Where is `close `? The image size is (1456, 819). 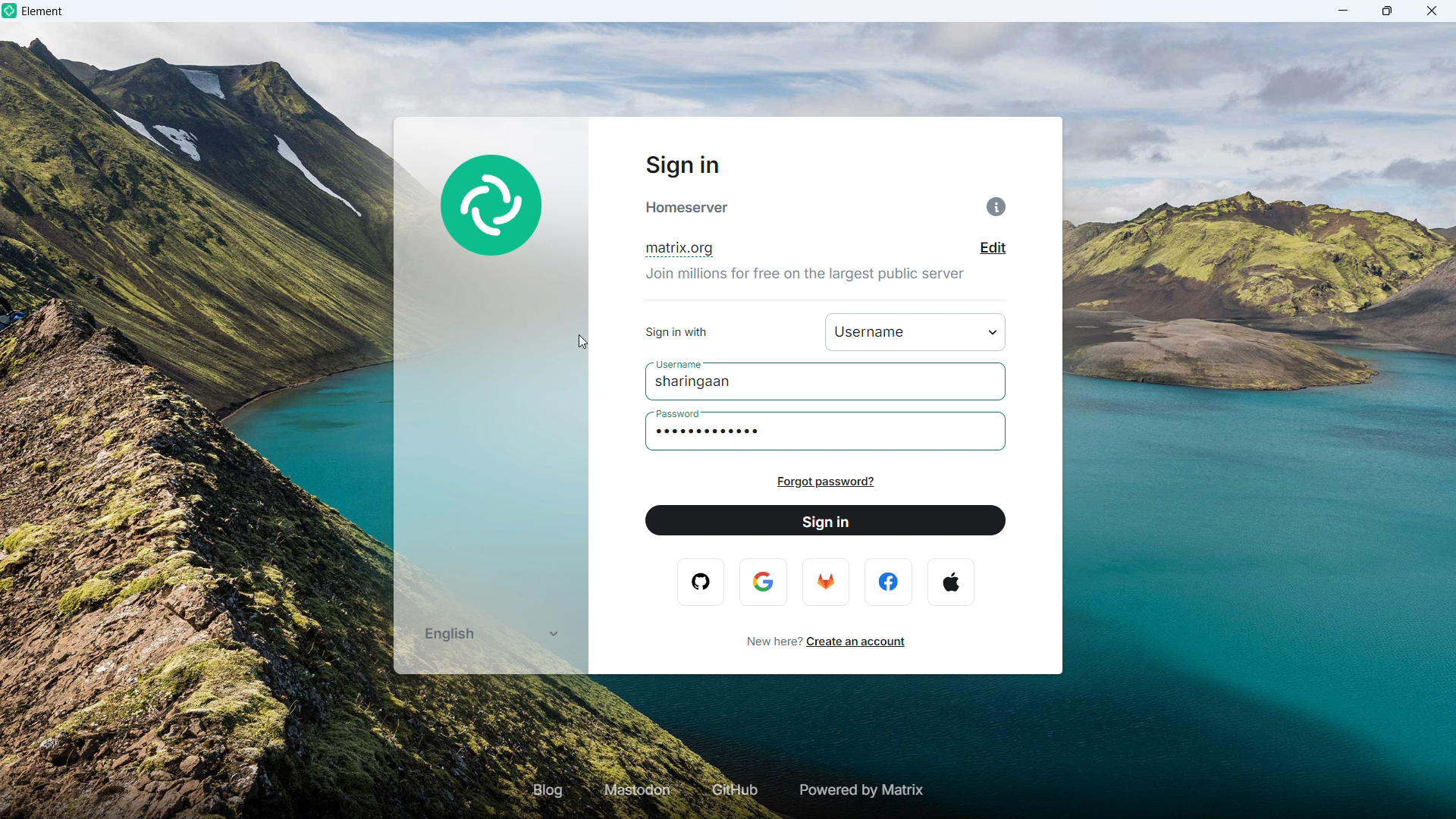
close  is located at coordinates (1431, 11).